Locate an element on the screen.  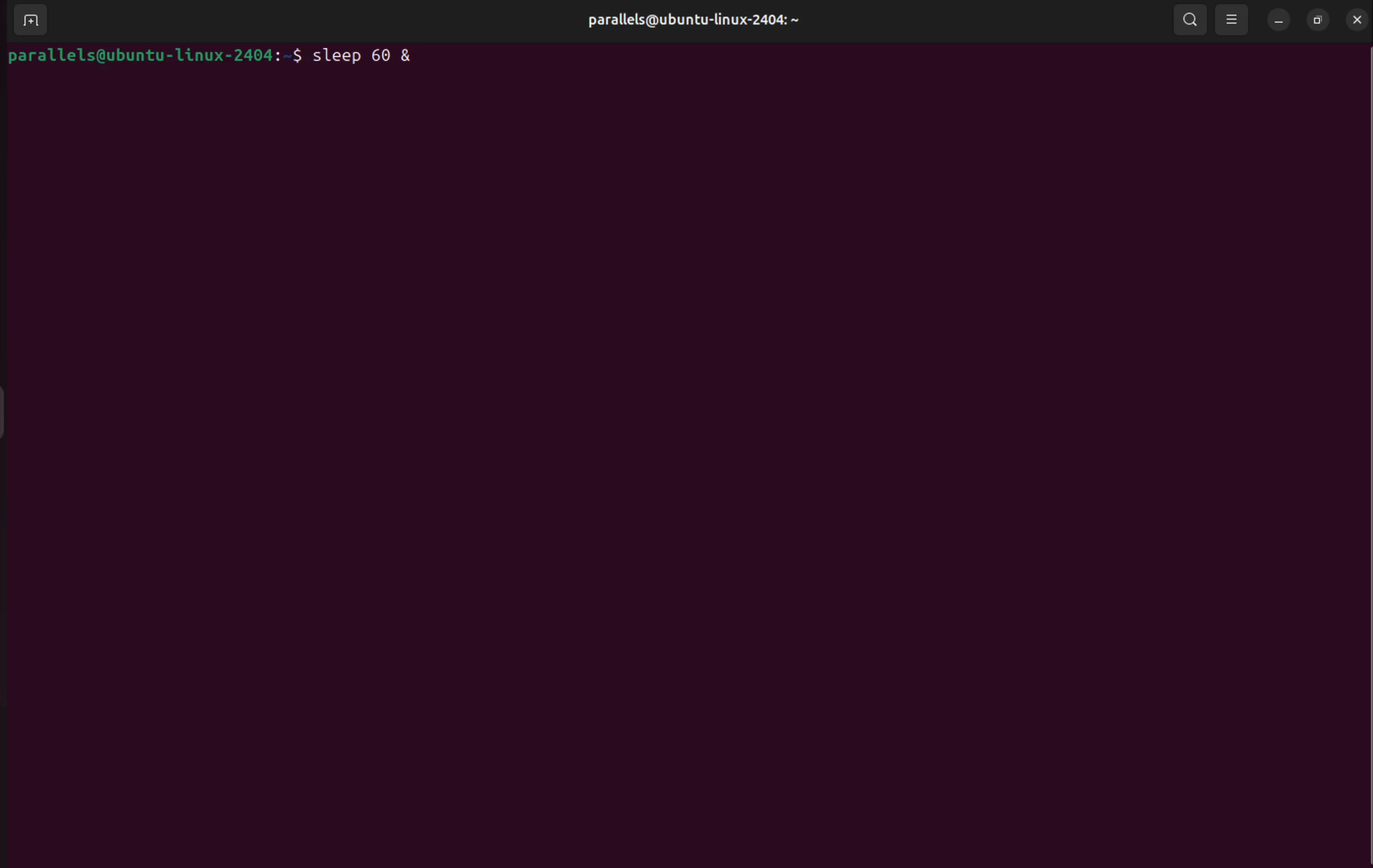
sleep60 & is located at coordinates (372, 54).